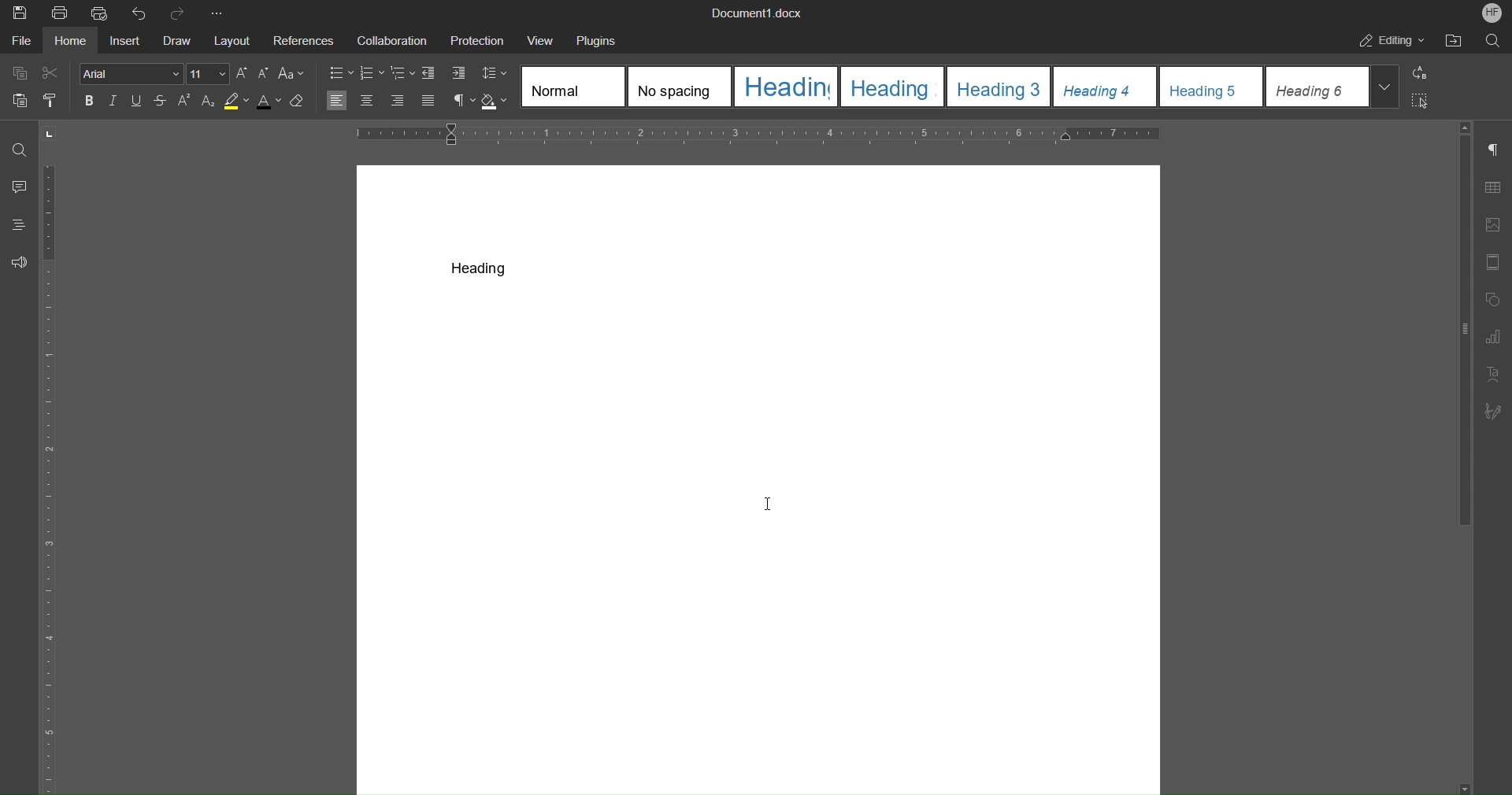 This screenshot has height=795, width=1512. I want to click on References, so click(301, 40).